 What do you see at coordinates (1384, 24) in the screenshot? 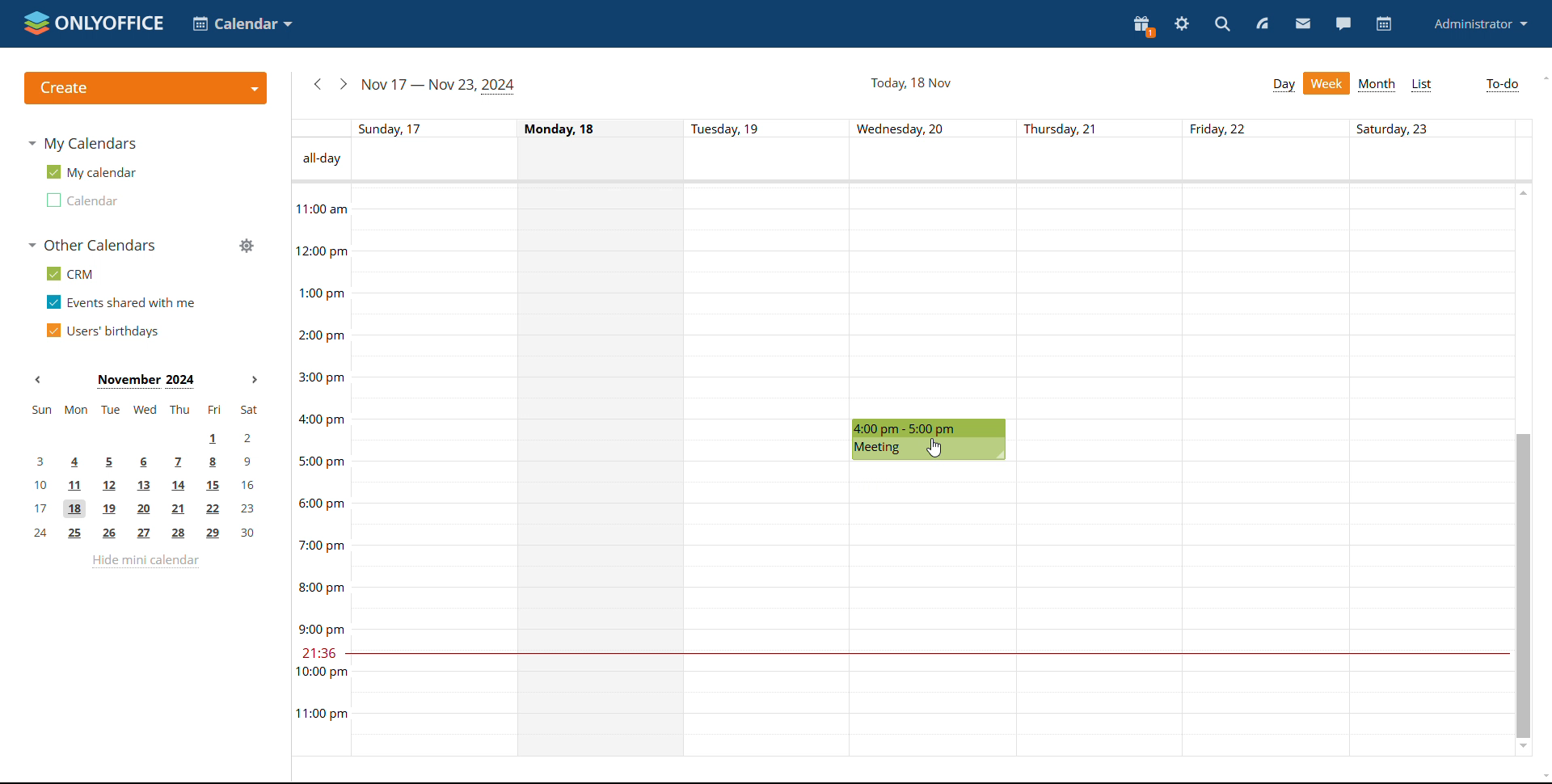
I see `calendar` at bounding box center [1384, 24].